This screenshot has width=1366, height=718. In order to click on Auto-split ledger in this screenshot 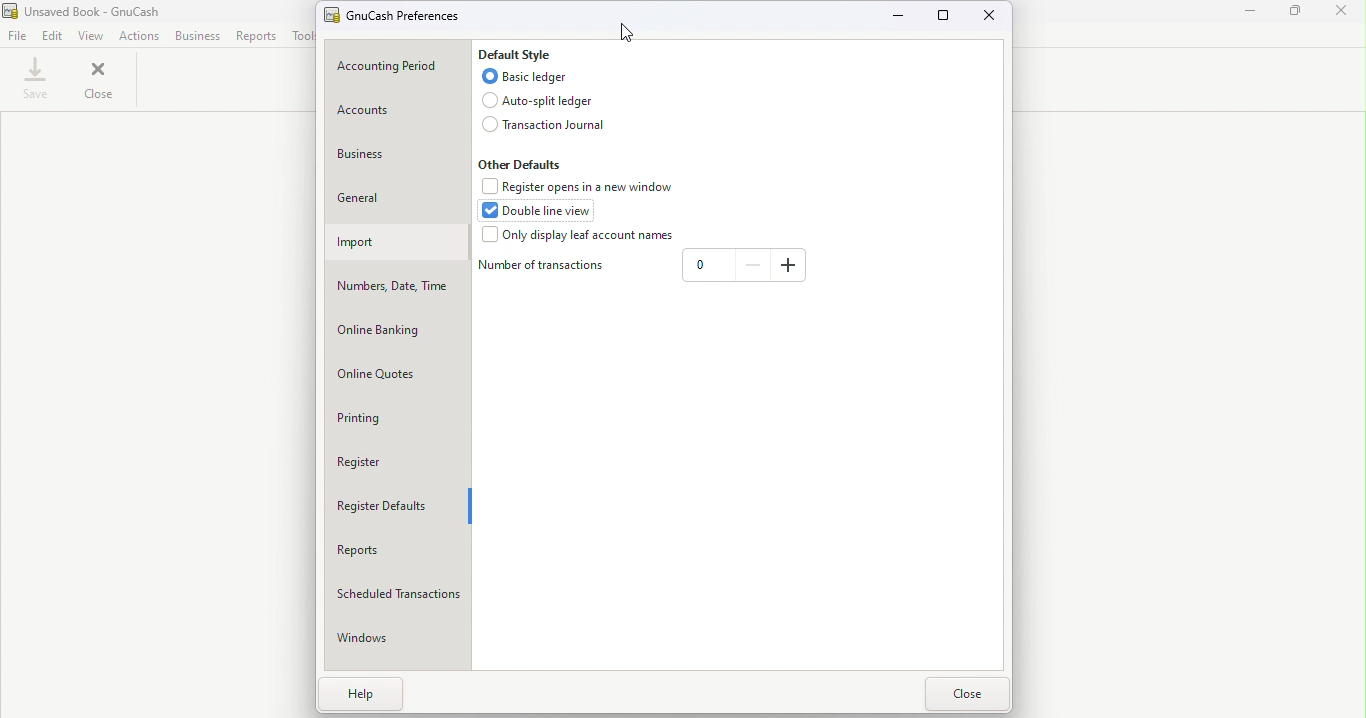, I will do `click(540, 99)`.